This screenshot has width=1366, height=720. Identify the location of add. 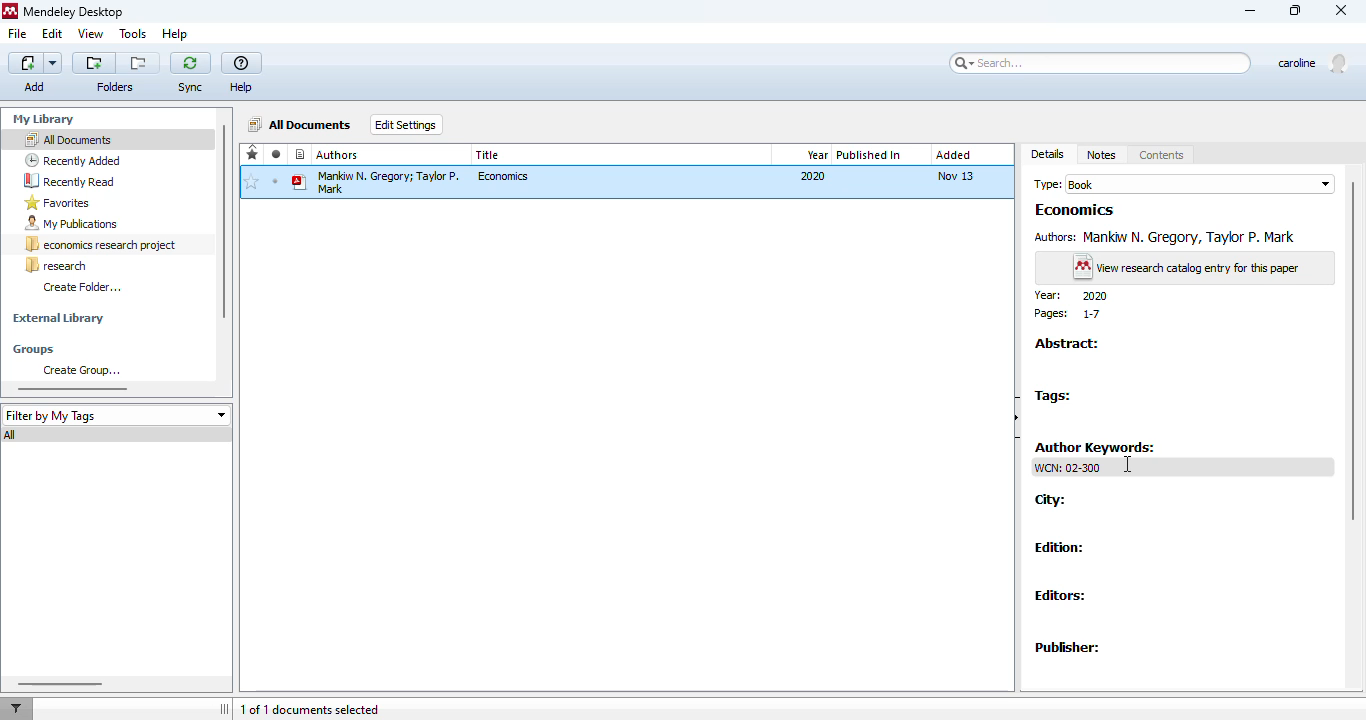
(35, 73).